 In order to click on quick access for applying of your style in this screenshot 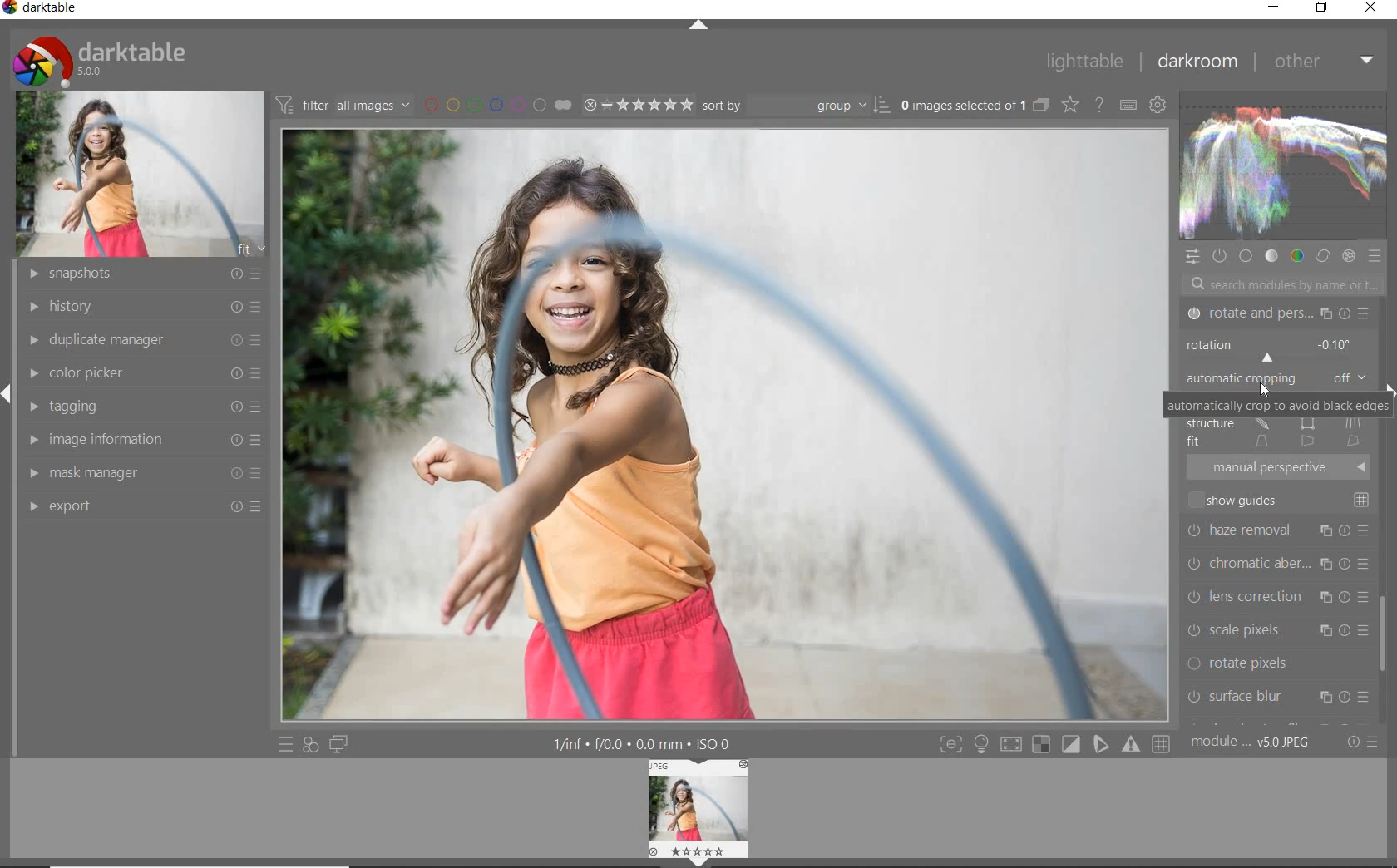, I will do `click(309, 743)`.